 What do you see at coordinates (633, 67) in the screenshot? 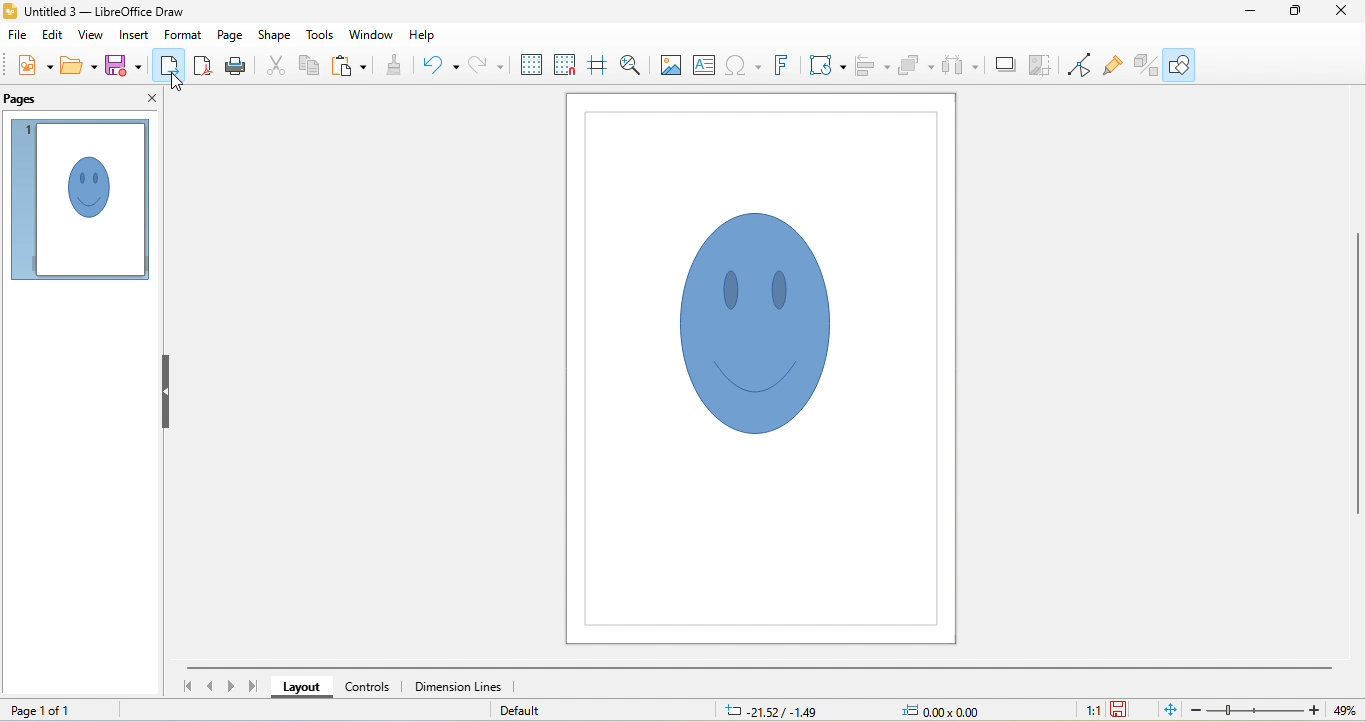
I see `zoom and pan` at bounding box center [633, 67].